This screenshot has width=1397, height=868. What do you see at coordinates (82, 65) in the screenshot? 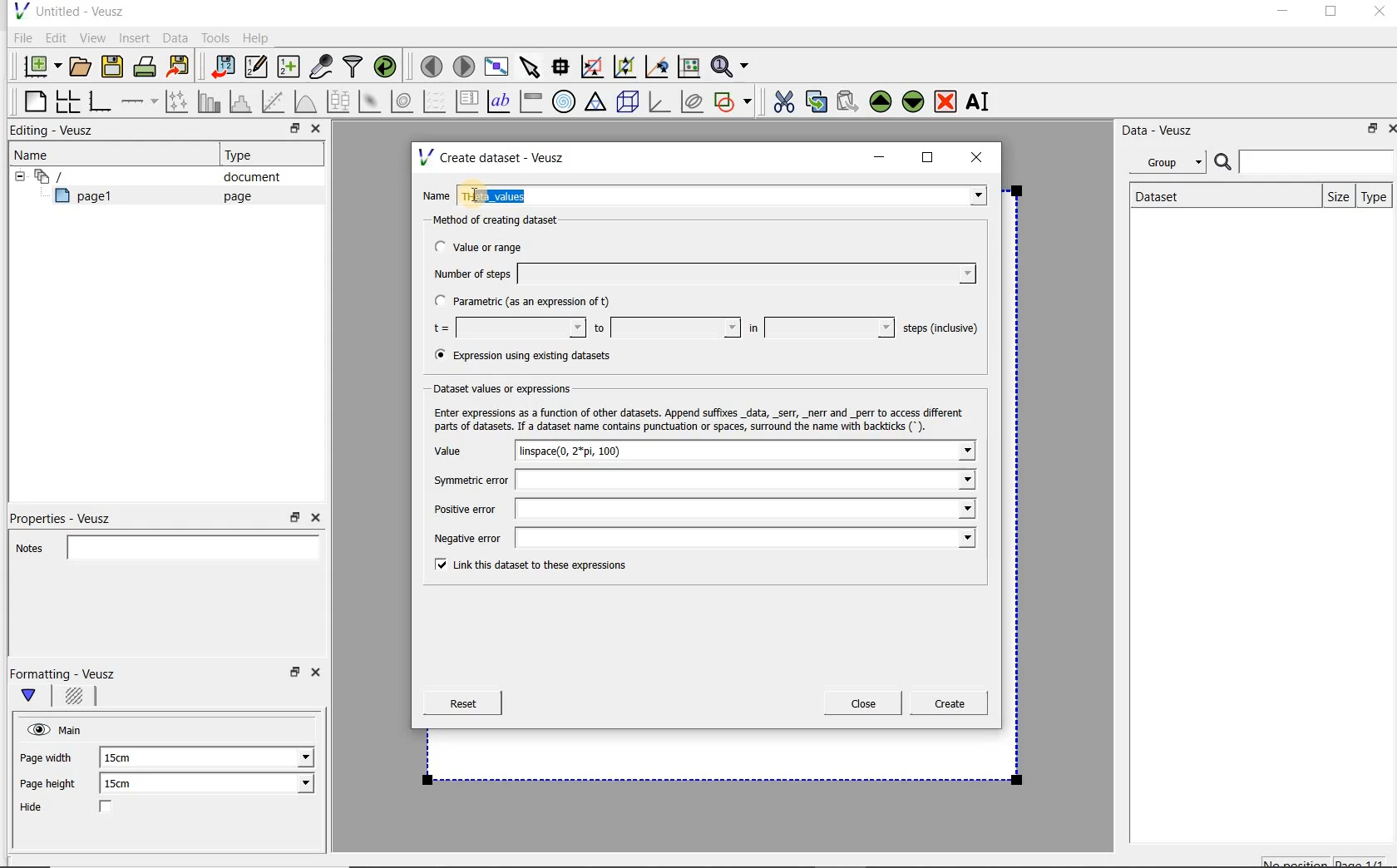
I see `open a document` at bounding box center [82, 65].